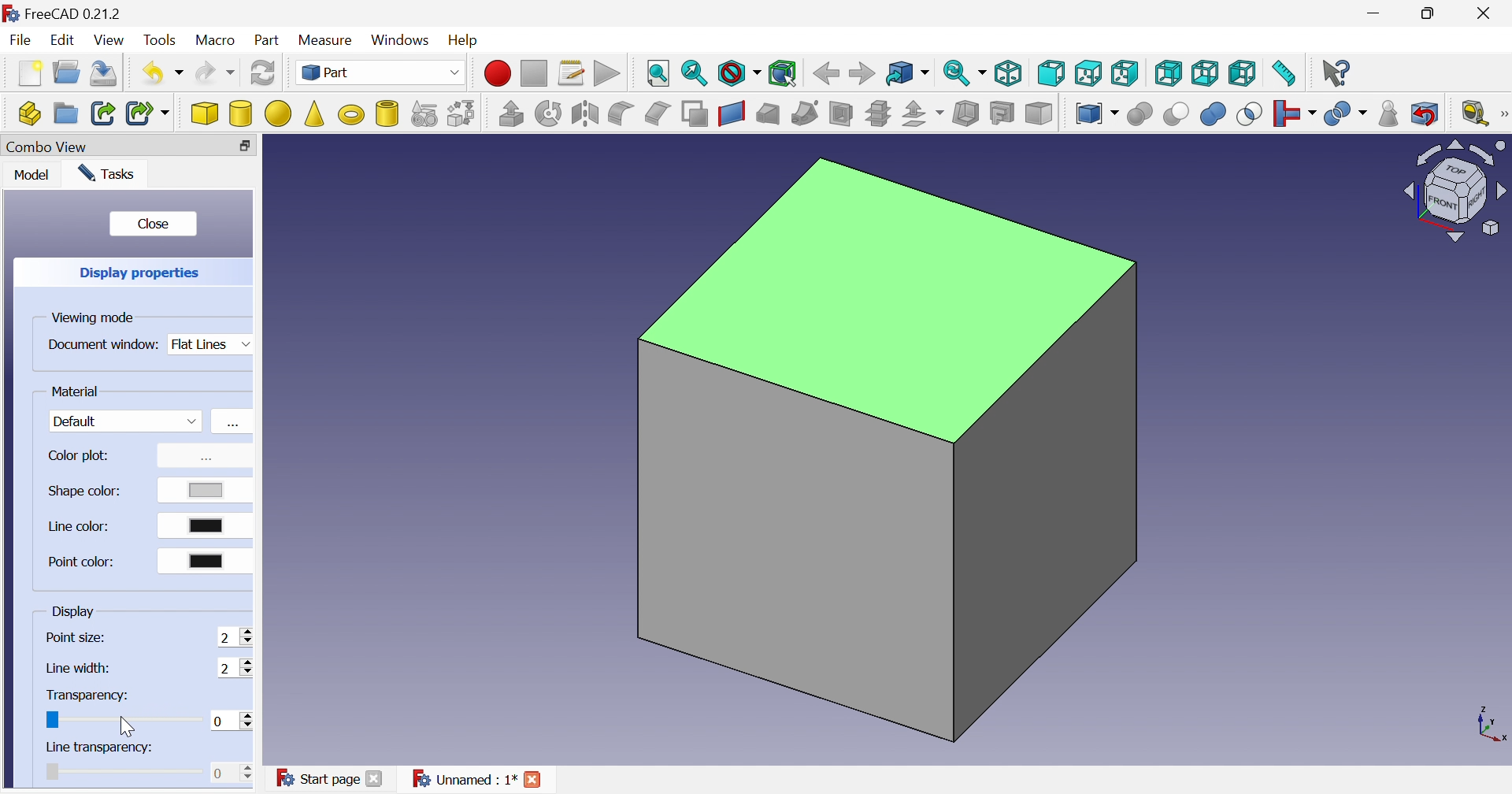  I want to click on Point color, so click(80, 562).